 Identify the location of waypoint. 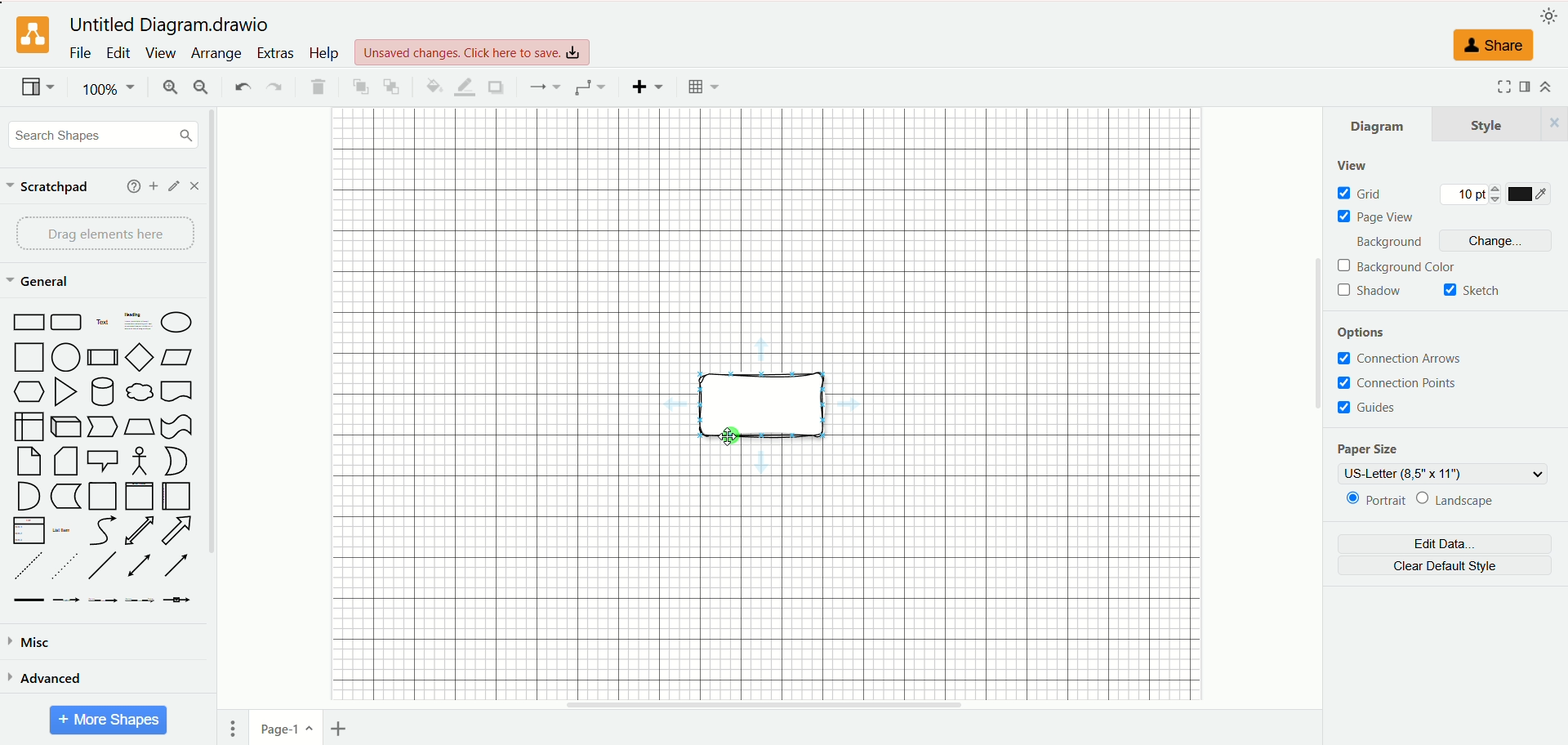
(590, 87).